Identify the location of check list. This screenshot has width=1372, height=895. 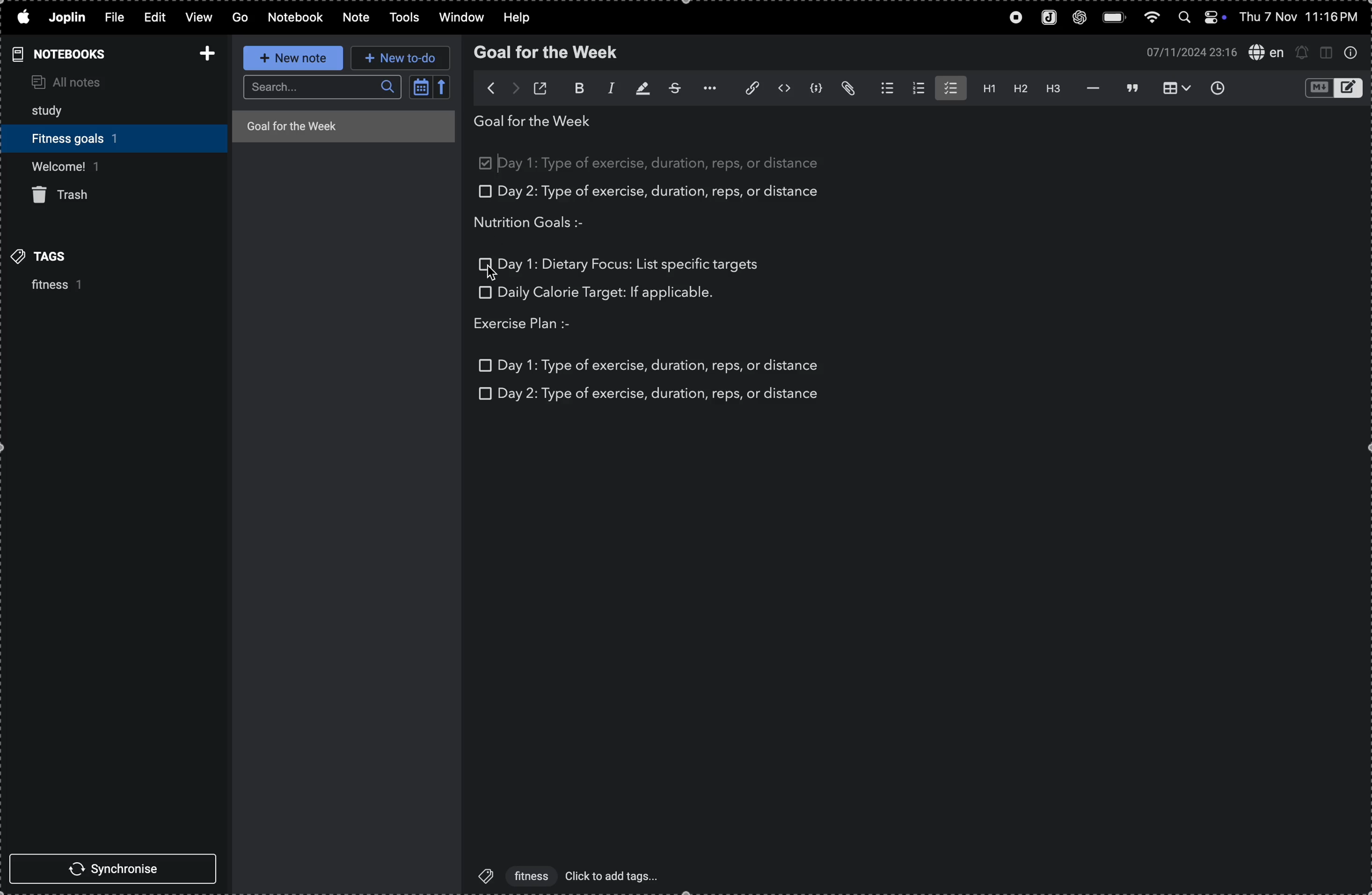
(949, 88).